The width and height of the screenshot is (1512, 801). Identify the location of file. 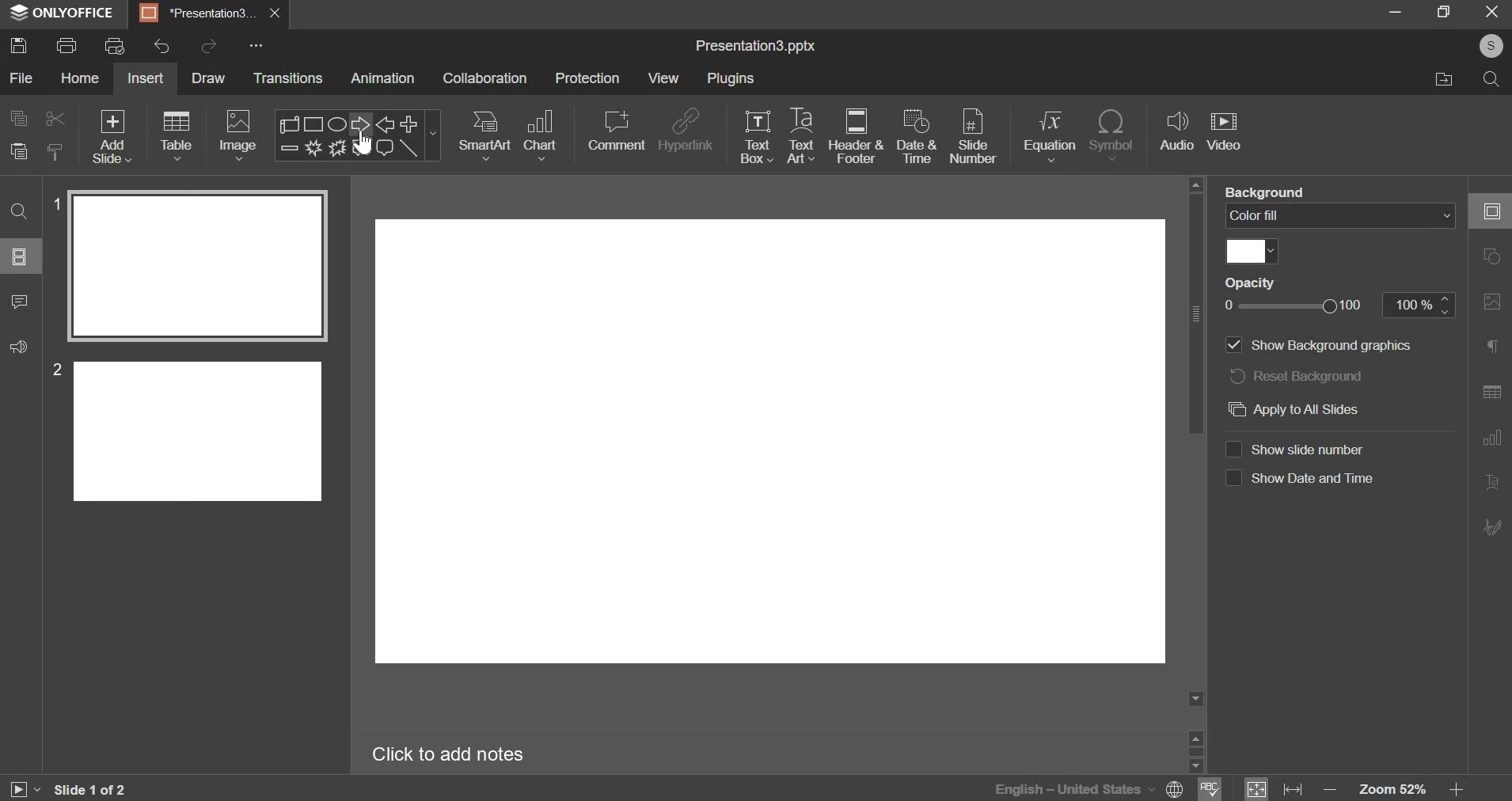
(23, 78).